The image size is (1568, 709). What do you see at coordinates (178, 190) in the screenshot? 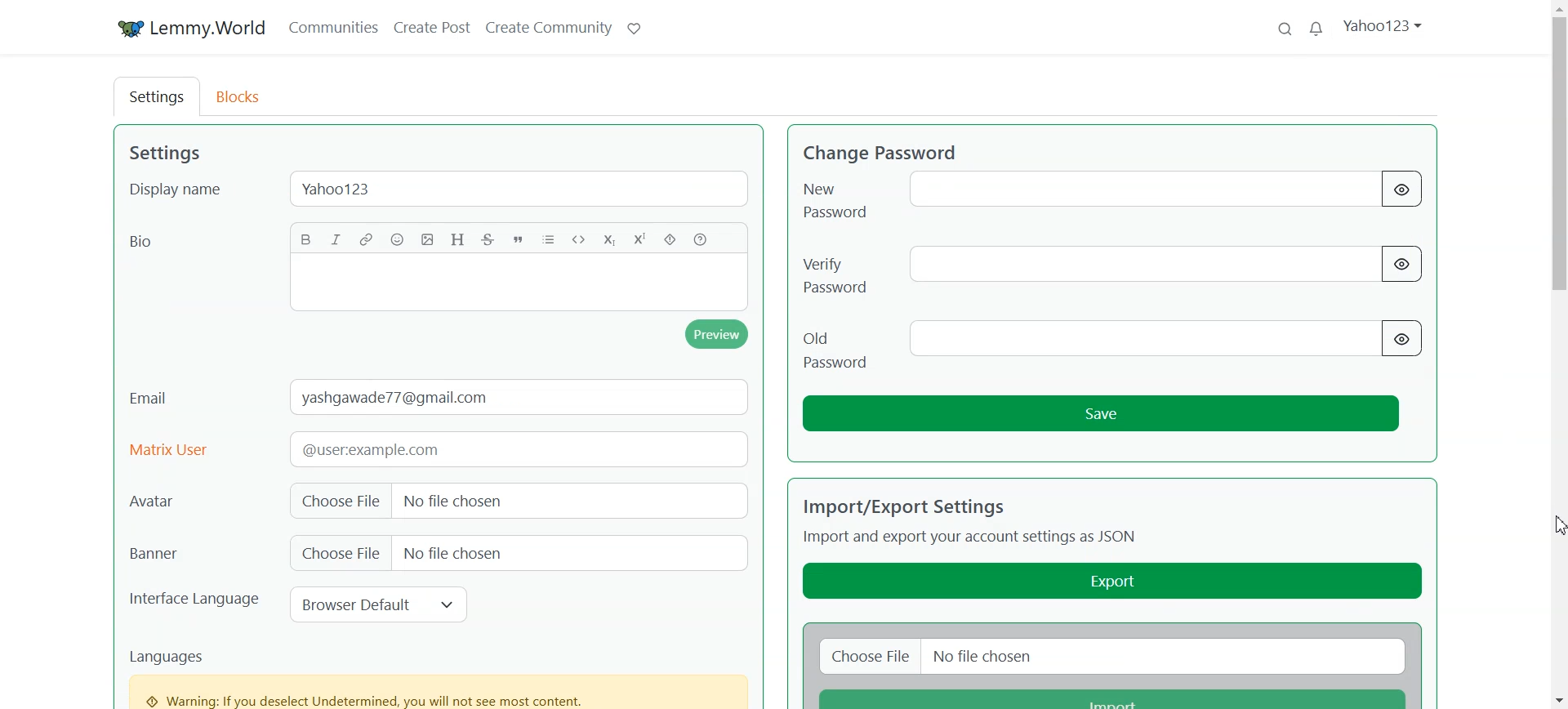
I see `Display name` at bounding box center [178, 190].